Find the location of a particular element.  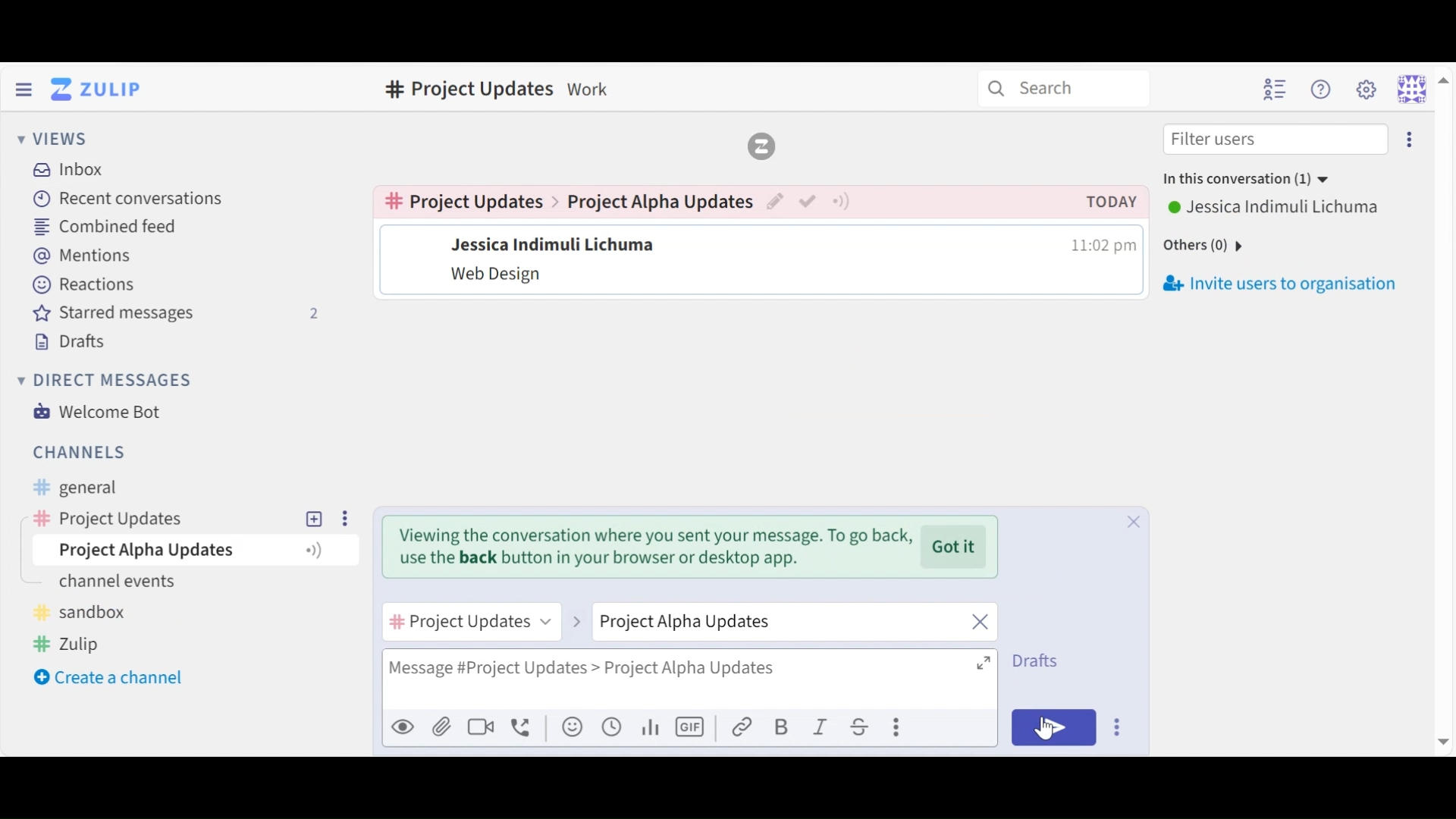

Create a channel is located at coordinates (111, 677).